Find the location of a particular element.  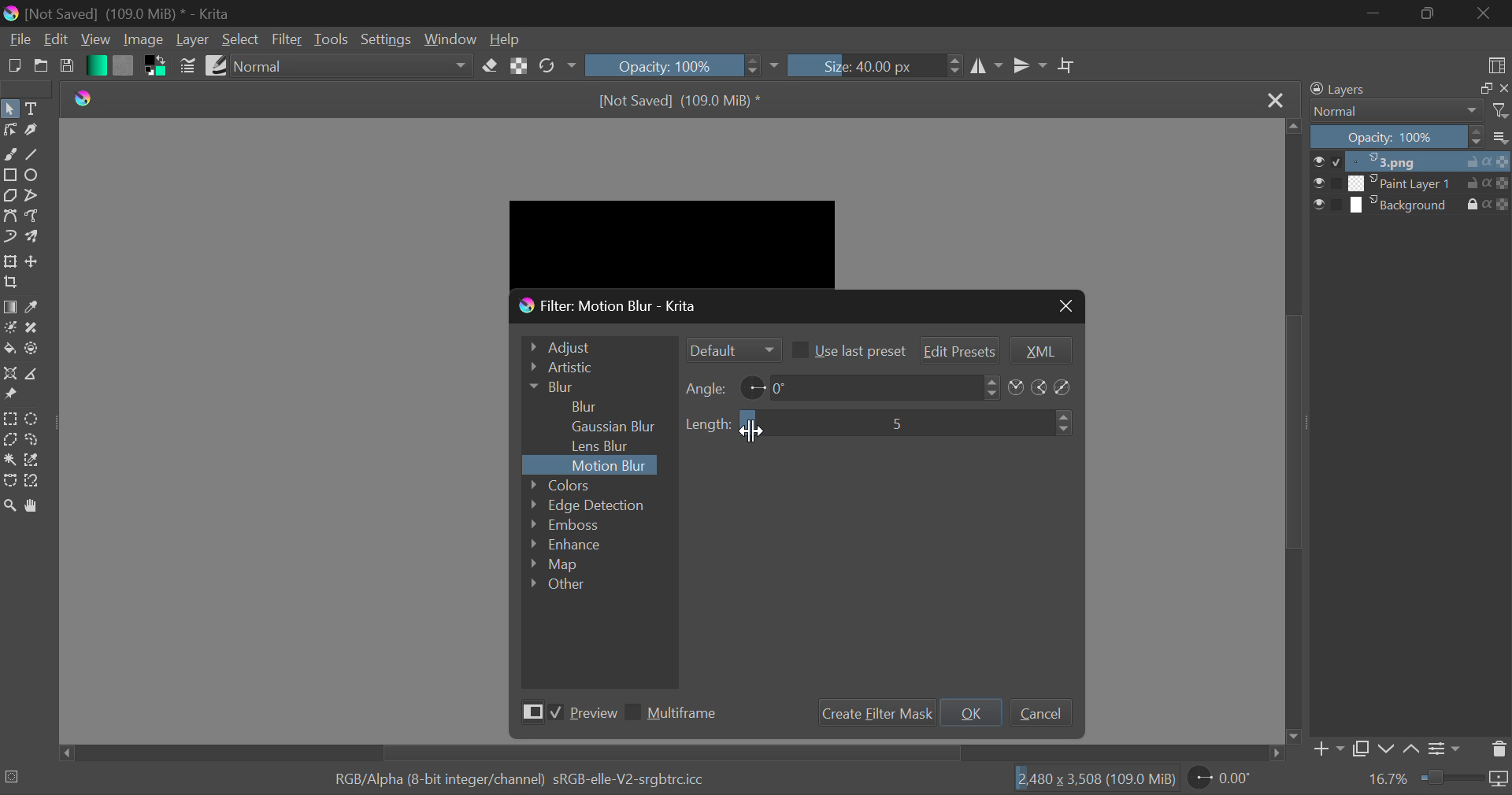

Layer is located at coordinates (193, 39).